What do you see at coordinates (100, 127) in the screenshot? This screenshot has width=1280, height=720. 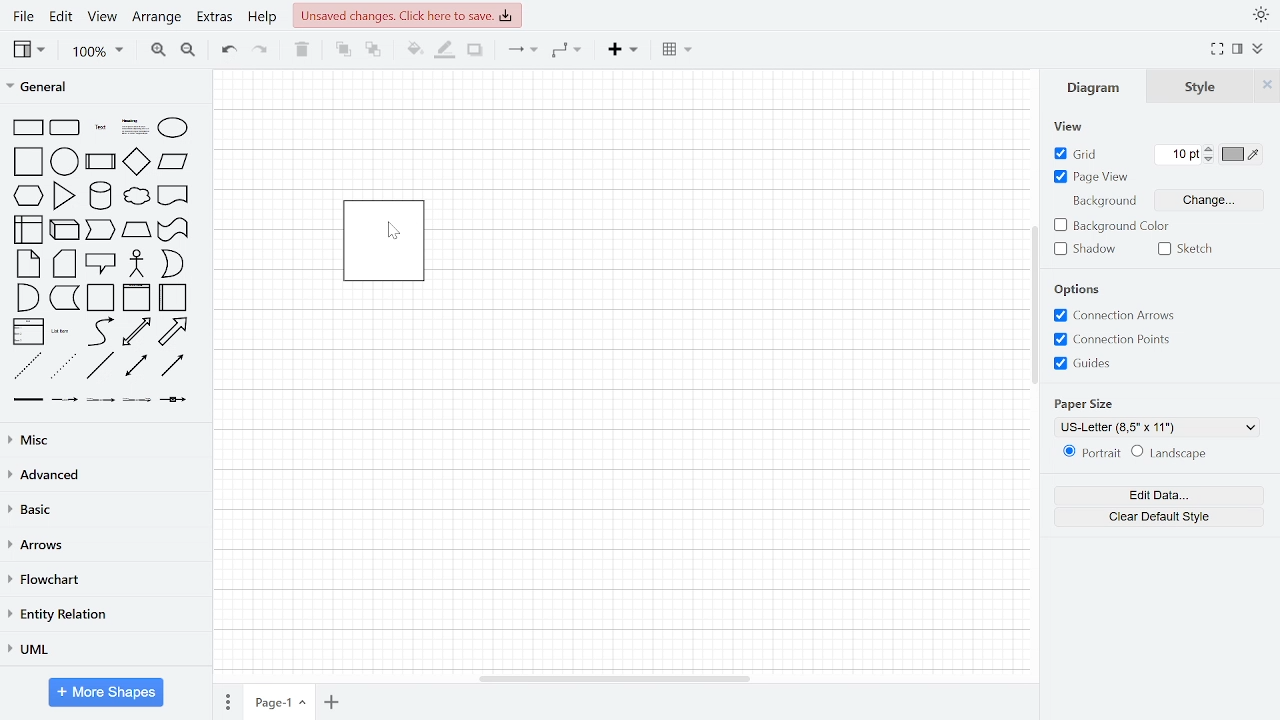 I see `text` at bounding box center [100, 127].